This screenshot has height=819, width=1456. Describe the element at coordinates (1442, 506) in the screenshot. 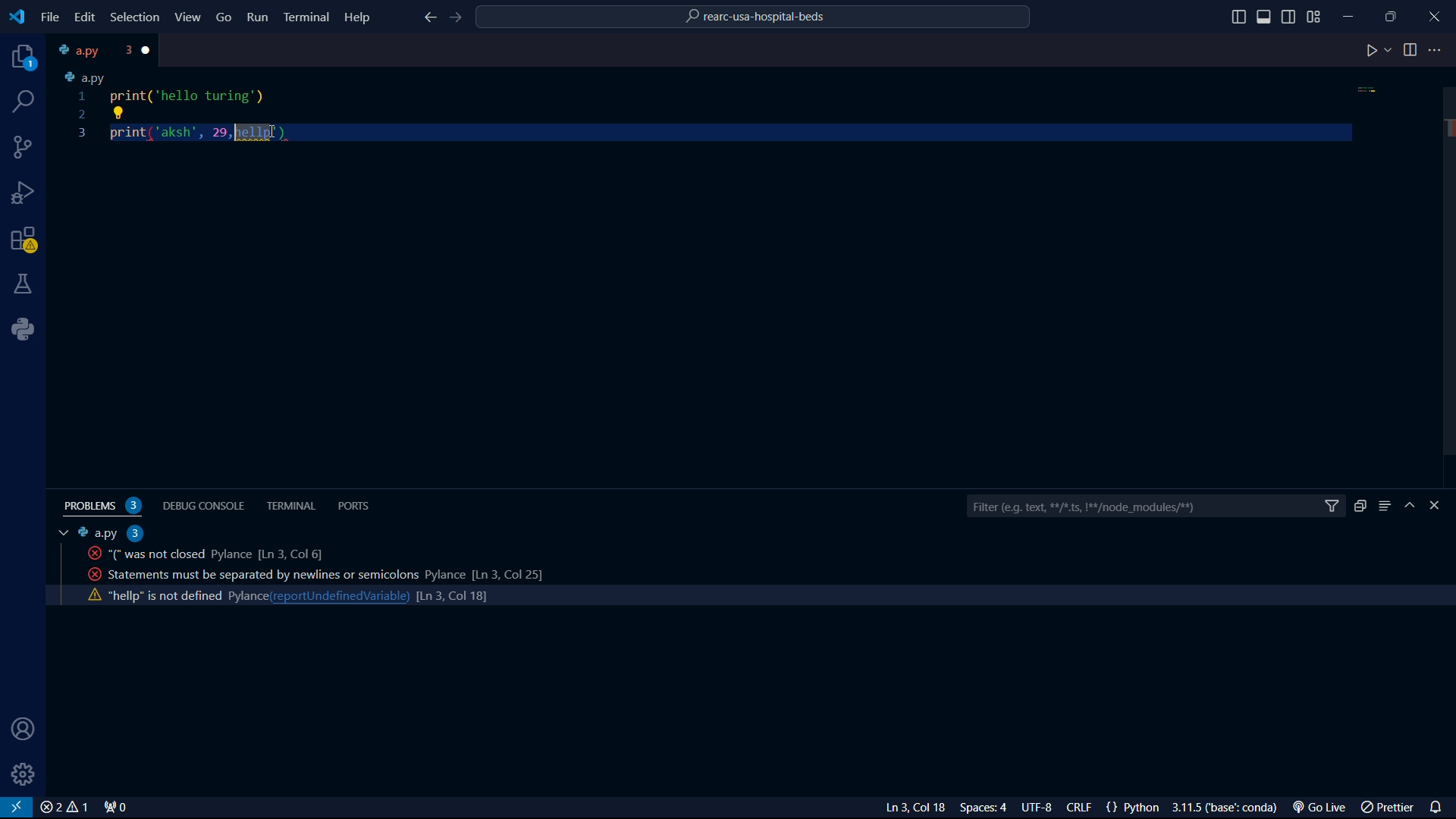

I see `close bar` at that location.